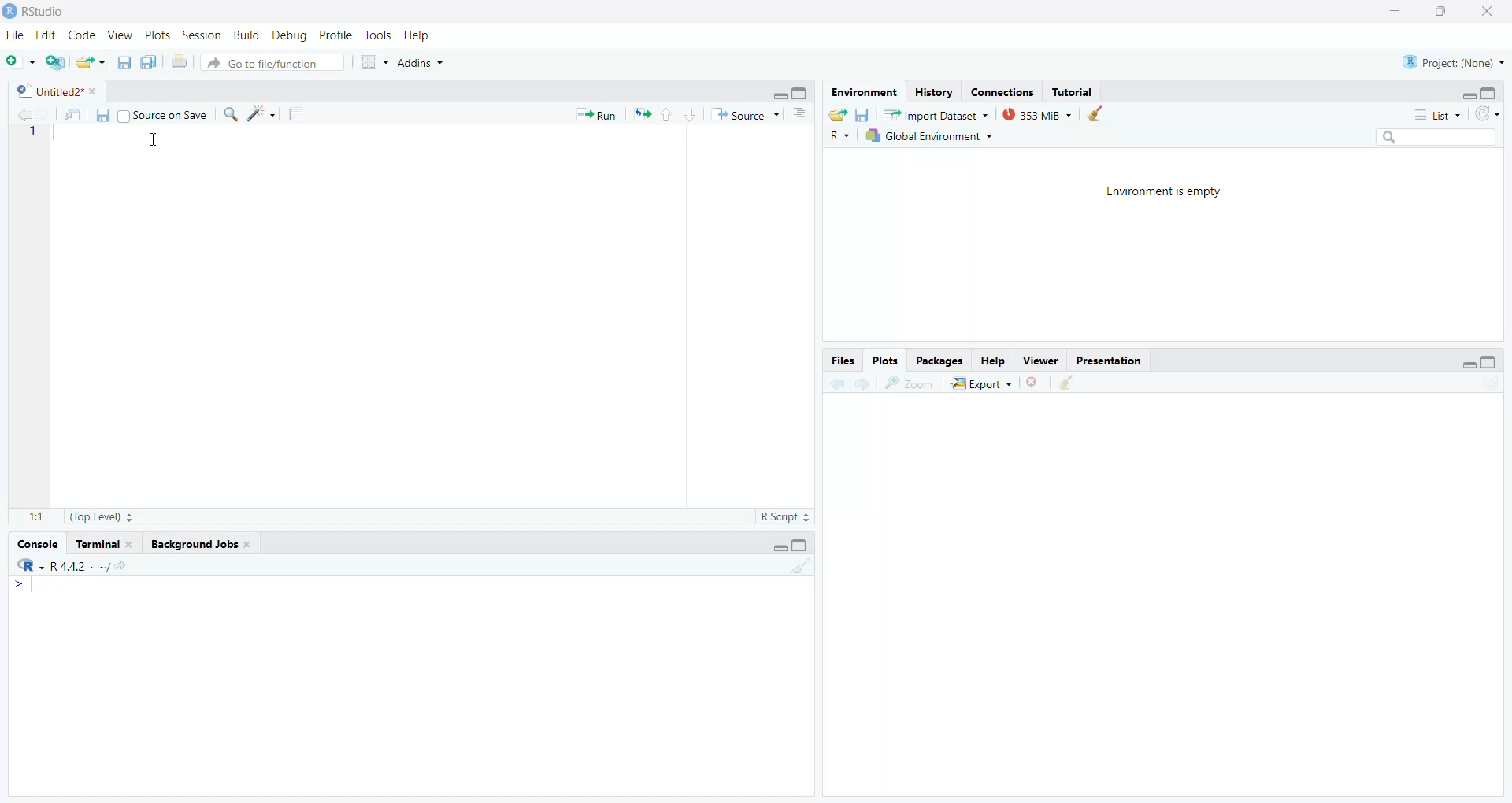  What do you see at coordinates (46, 114) in the screenshot?
I see `go back to the next source location` at bounding box center [46, 114].